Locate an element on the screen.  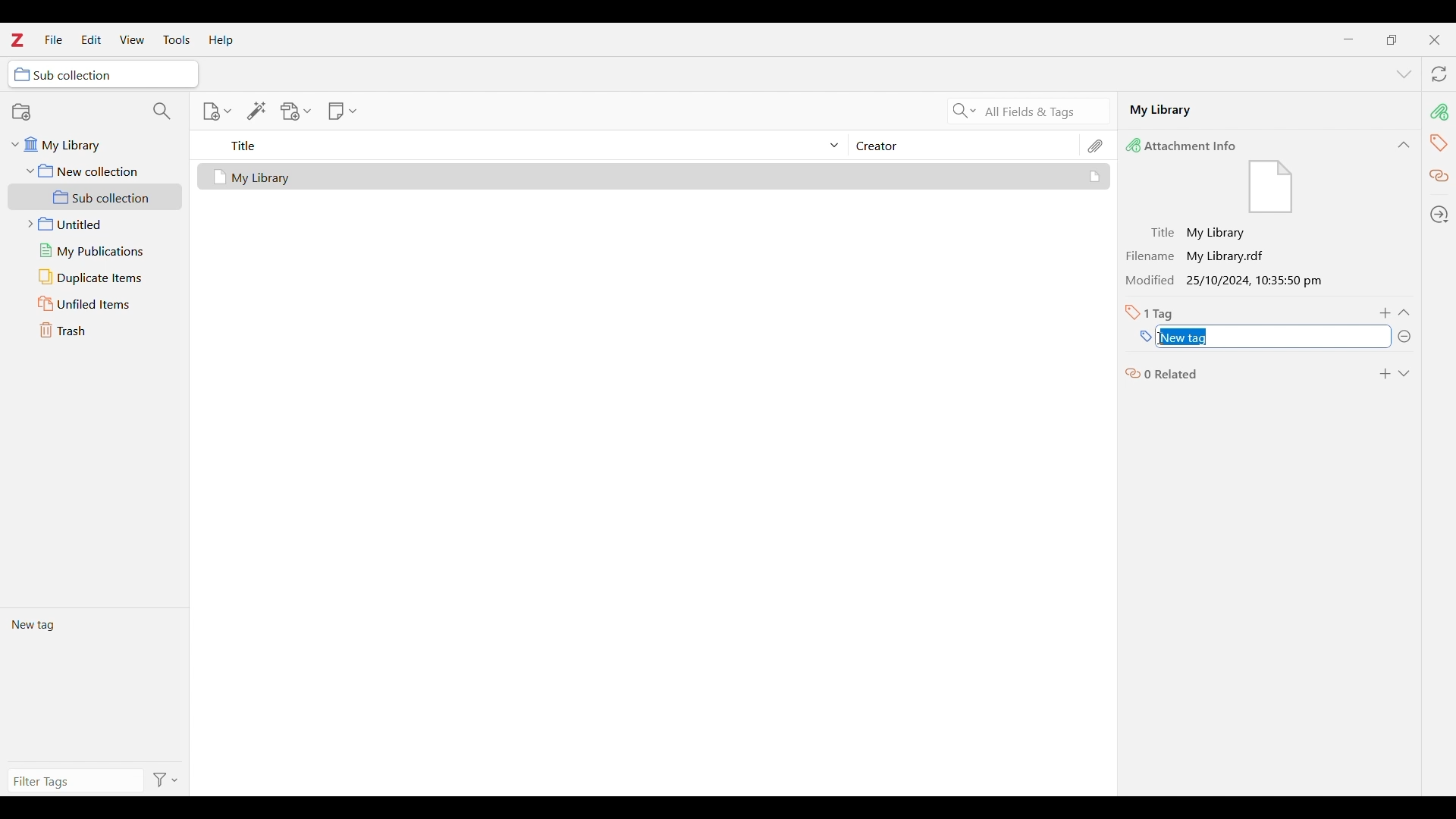
Trash folder is located at coordinates (95, 330).